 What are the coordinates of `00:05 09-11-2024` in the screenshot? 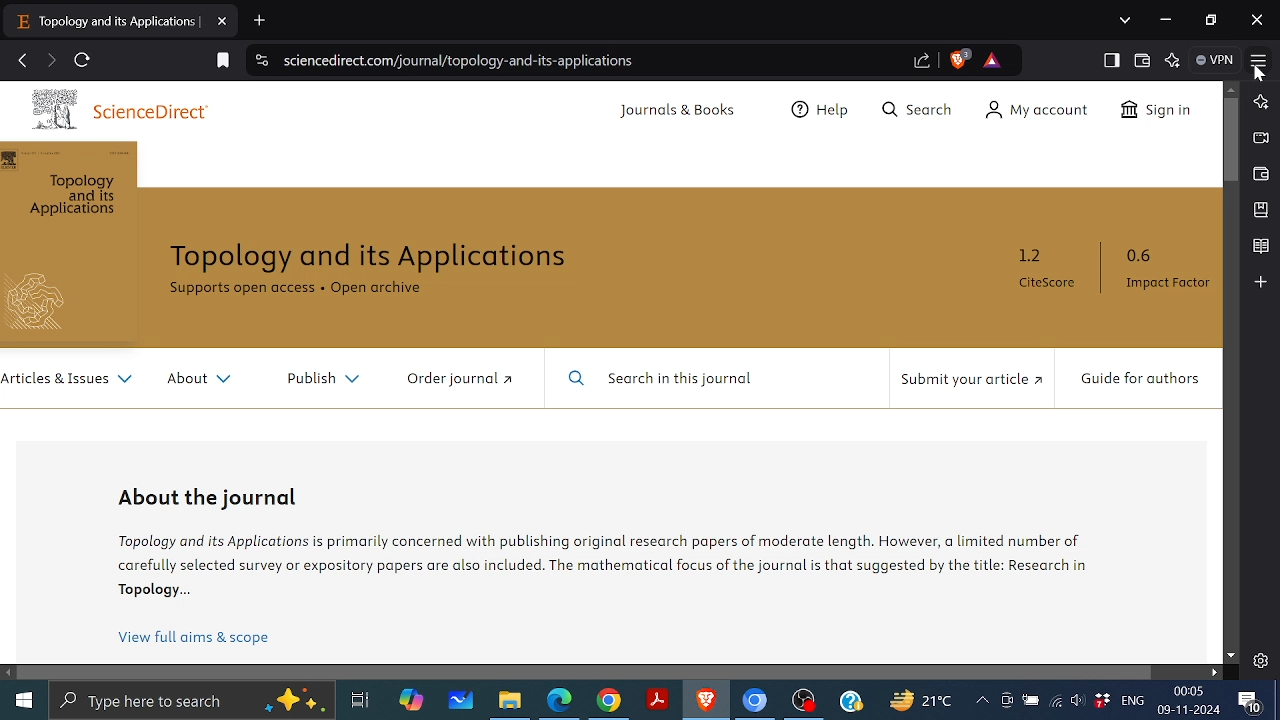 It's located at (1190, 701).